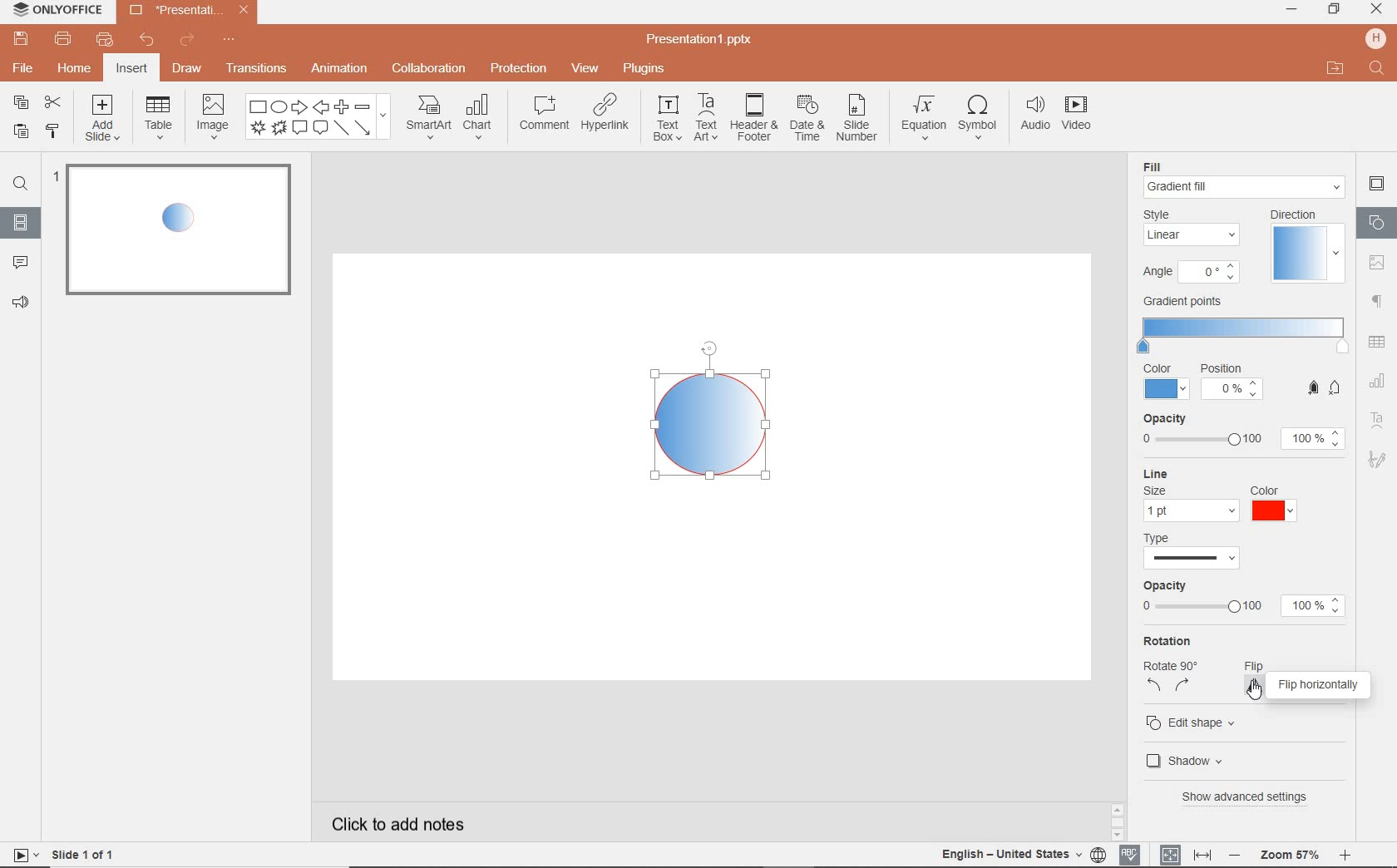 Image resolution: width=1397 pixels, height=868 pixels. I want to click on copy style, so click(52, 133).